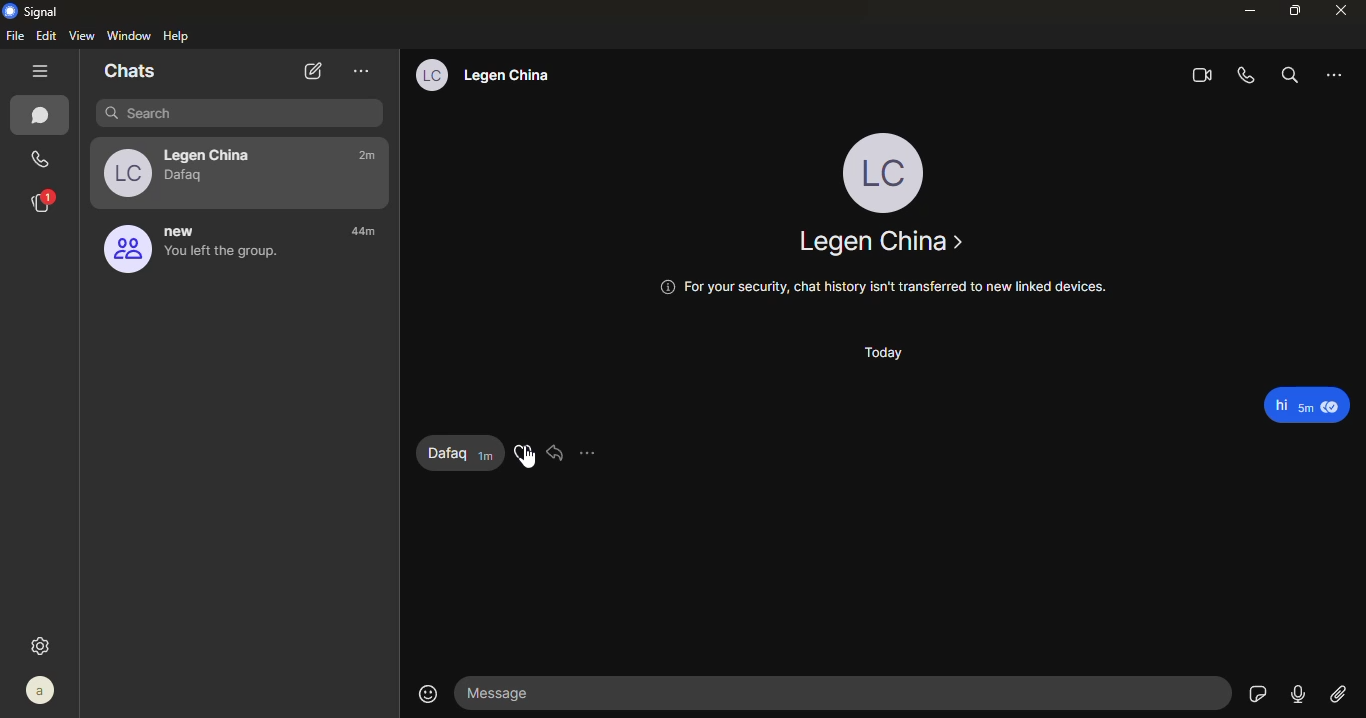  I want to click on @ For your security, chat history isn't transferred to new linked devices., so click(880, 286).